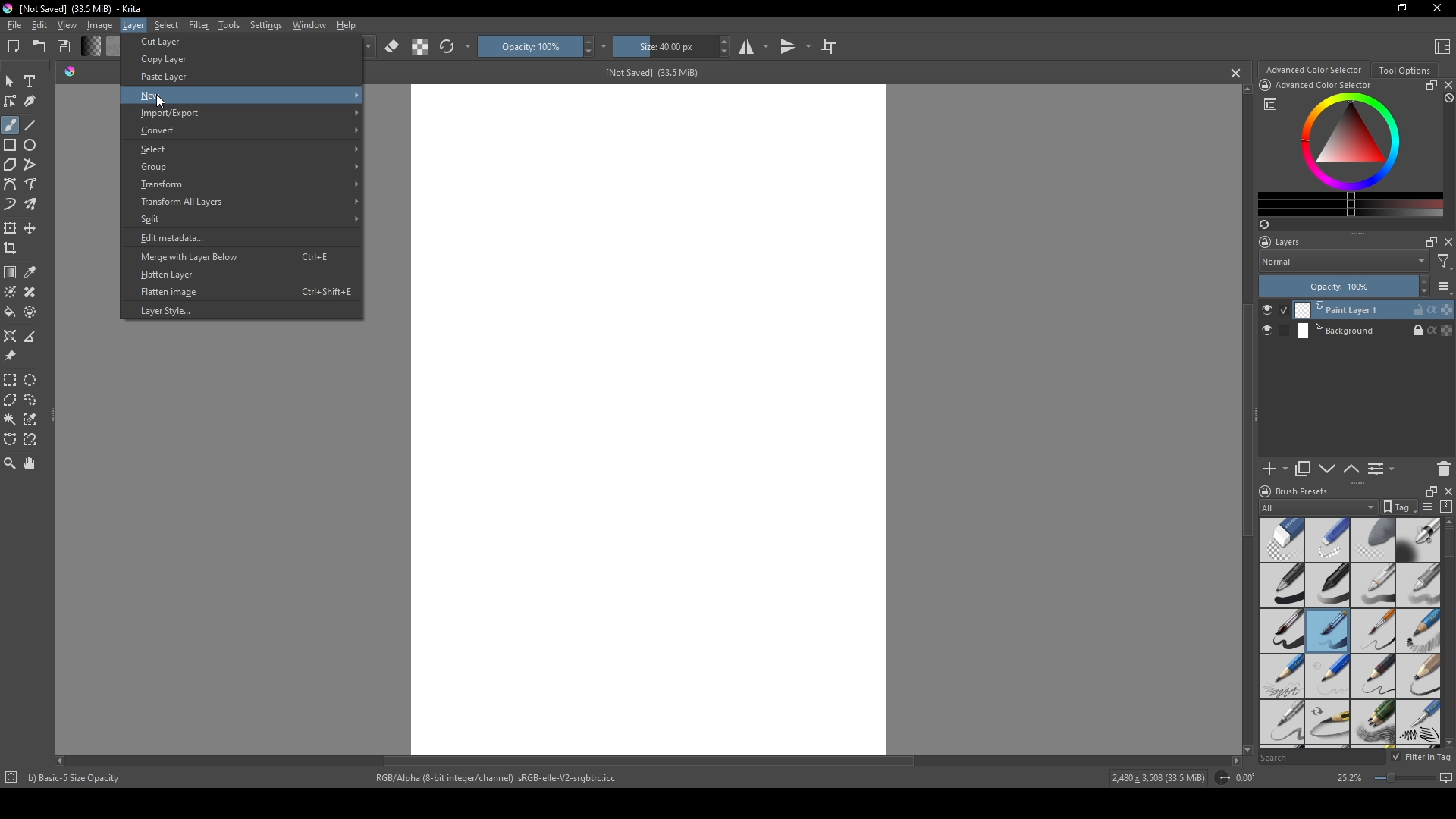 The width and height of the screenshot is (1456, 819). What do you see at coordinates (1352, 142) in the screenshot?
I see `colors display` at bounding box center [1352, 142].